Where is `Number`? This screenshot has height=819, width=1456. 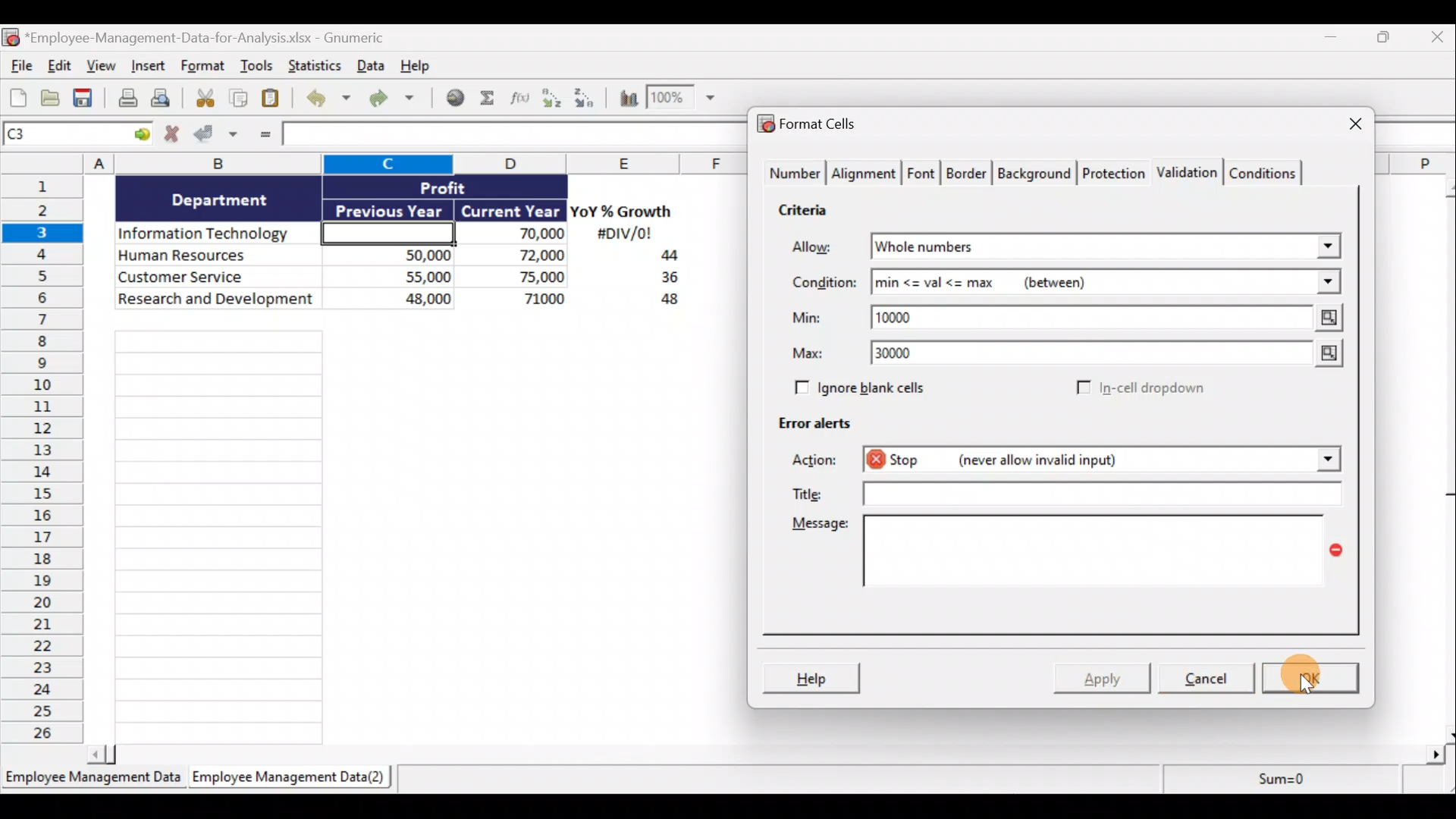
Number is located at coordinates (793, 174).